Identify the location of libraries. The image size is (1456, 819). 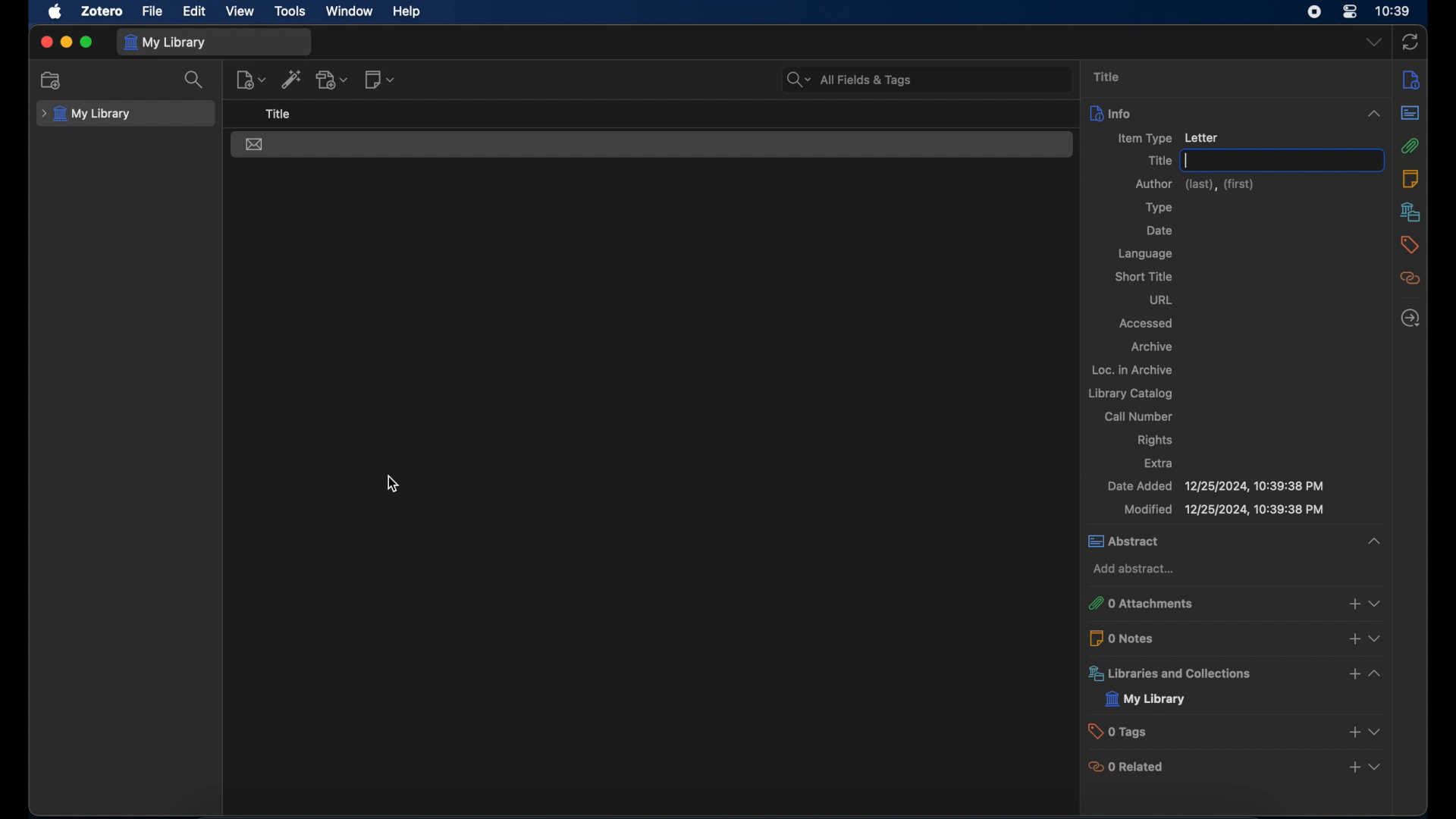
(1410, 212).